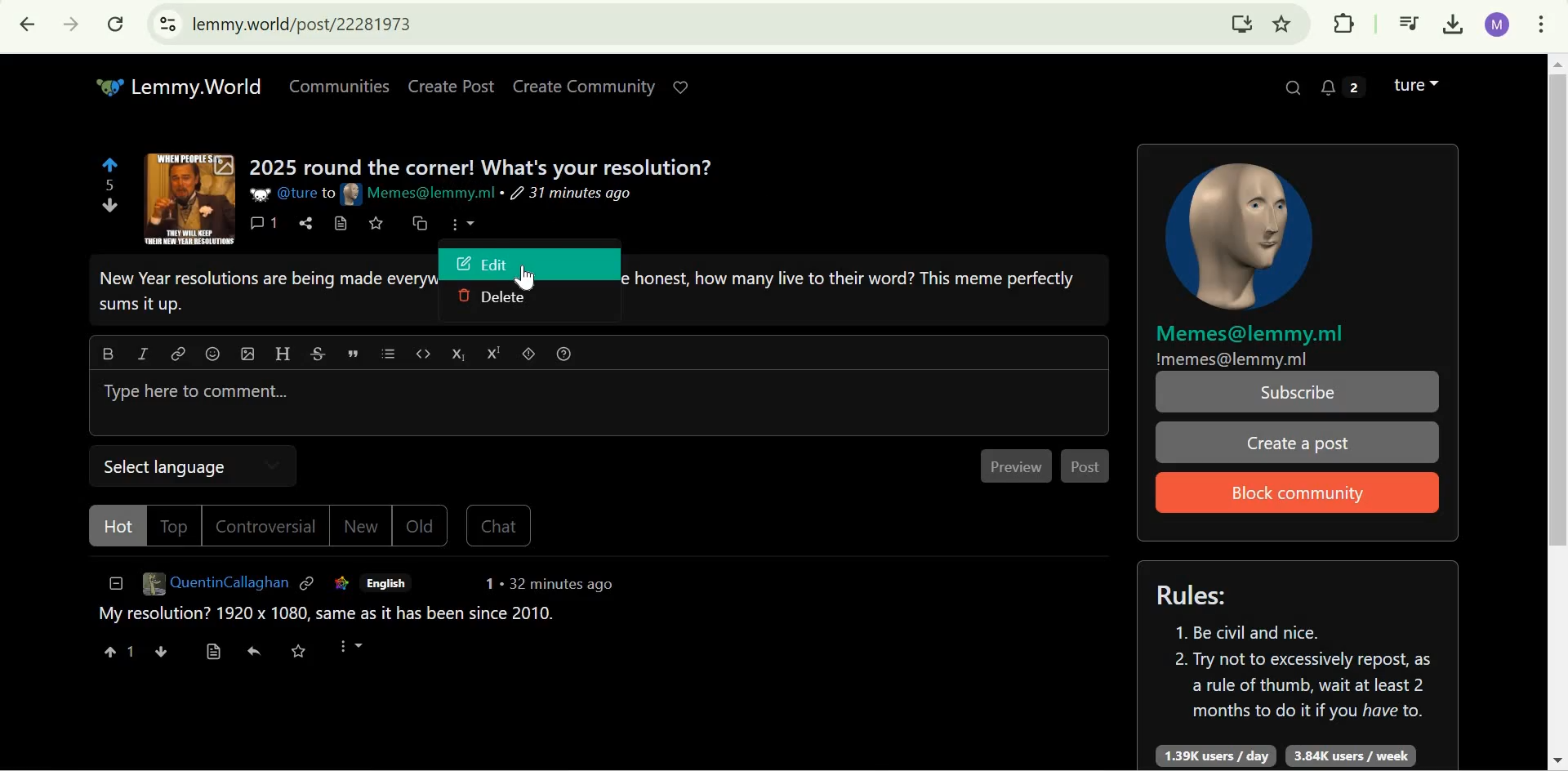  What do you see at coordinates (421, 526) in the screenshot?
I see `Old` at bounding box center [421, 526].